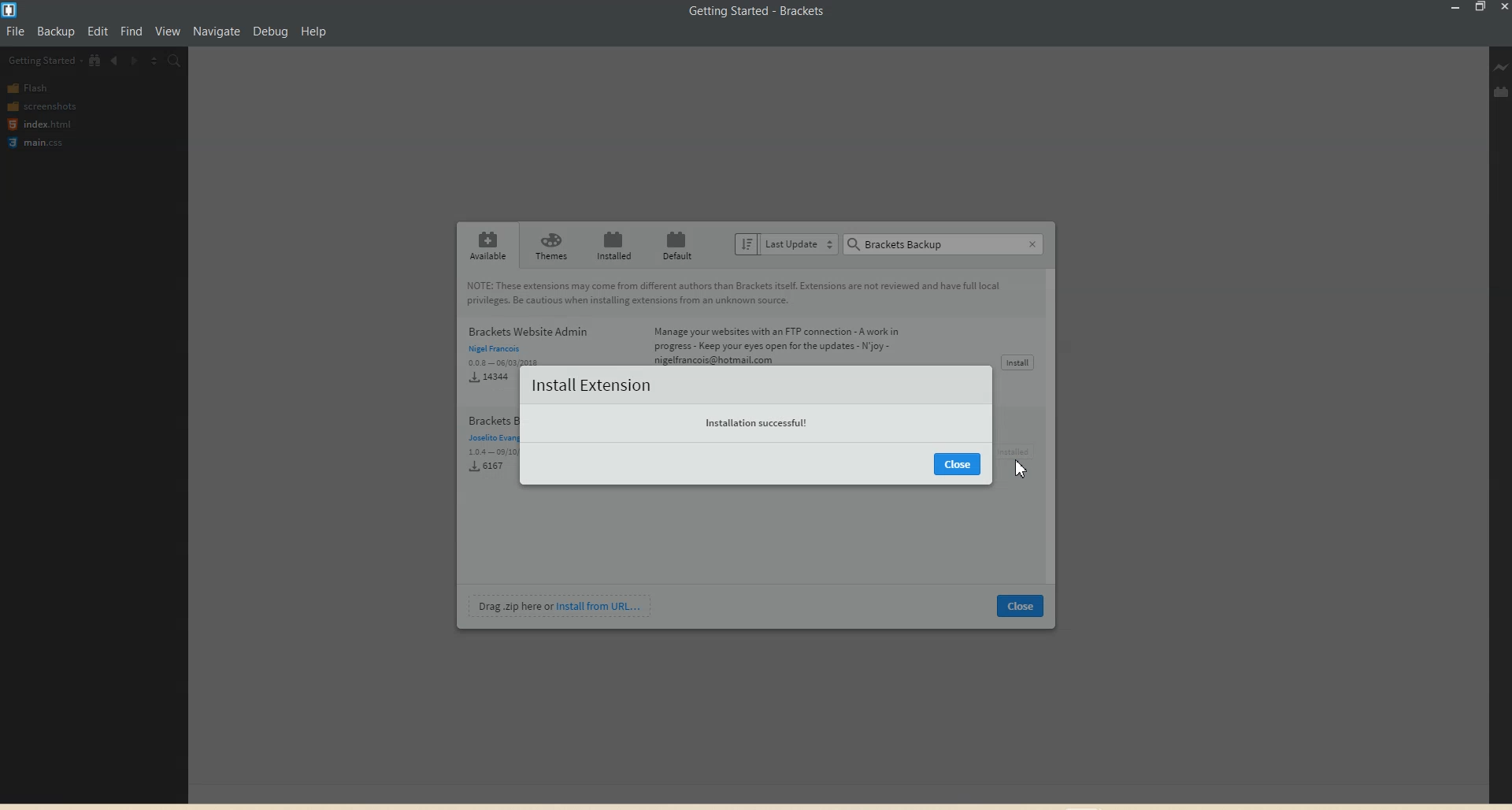 The width and height of the screenshot is (1512, 810). Describe the element at coordinates (31, 87) in the screenshot. I see `Flash` at that location.